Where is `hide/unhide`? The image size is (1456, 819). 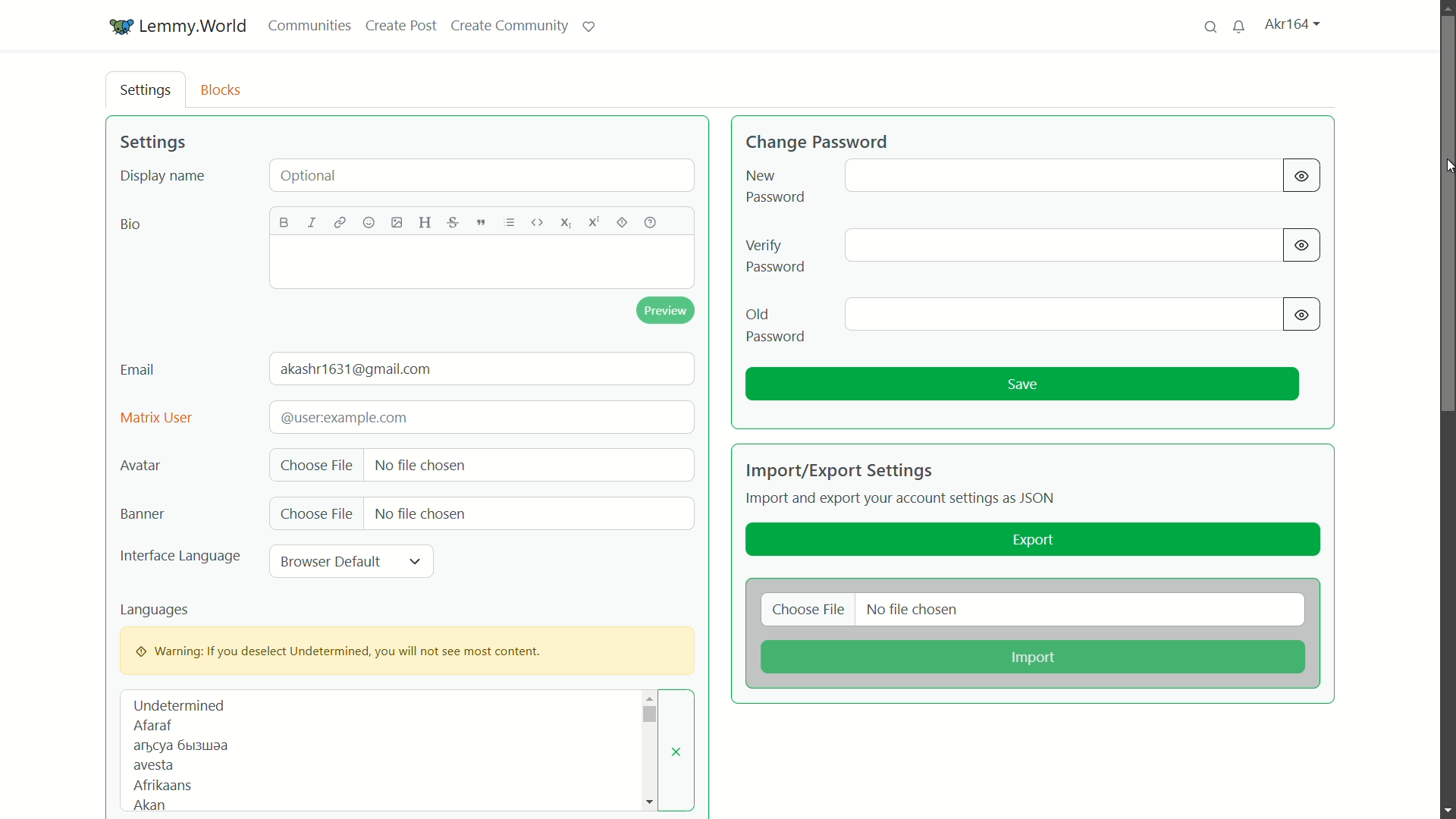 hide/unhide is located at coordinates (1303, 314).